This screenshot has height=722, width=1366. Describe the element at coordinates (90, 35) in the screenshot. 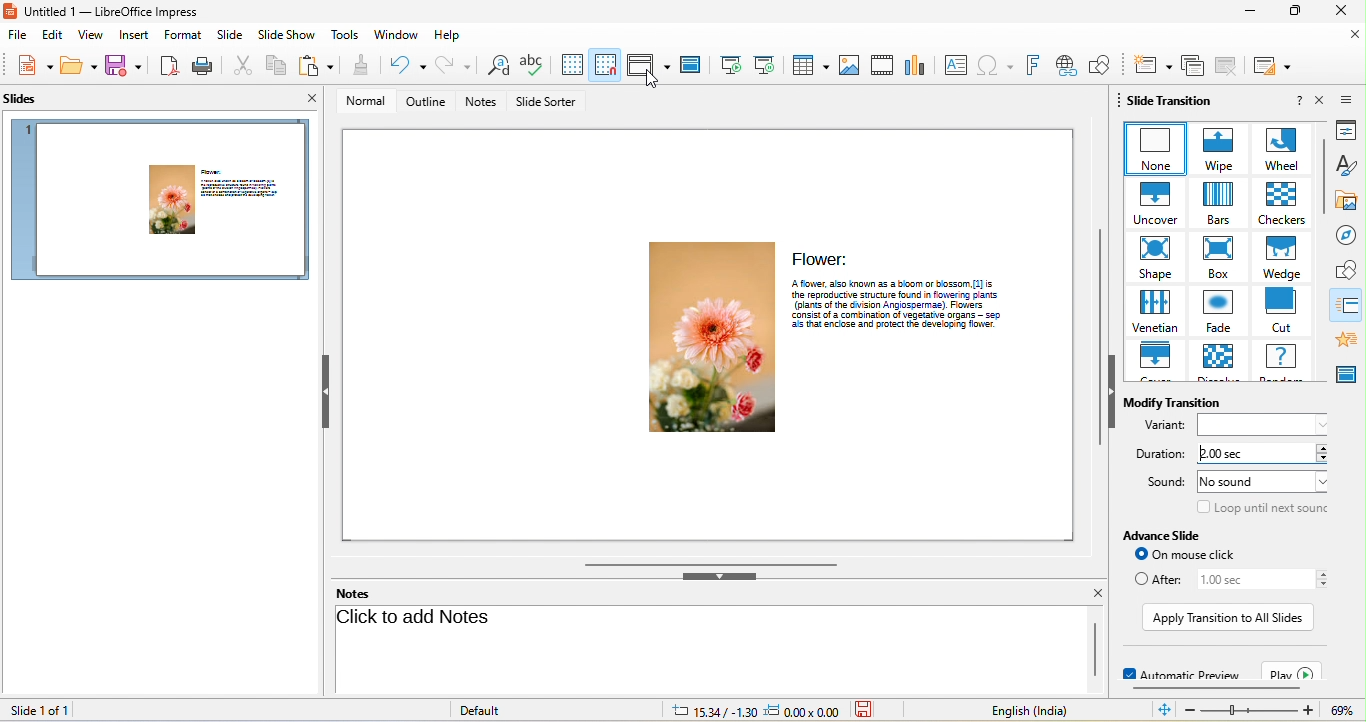

I see `view` at that location.